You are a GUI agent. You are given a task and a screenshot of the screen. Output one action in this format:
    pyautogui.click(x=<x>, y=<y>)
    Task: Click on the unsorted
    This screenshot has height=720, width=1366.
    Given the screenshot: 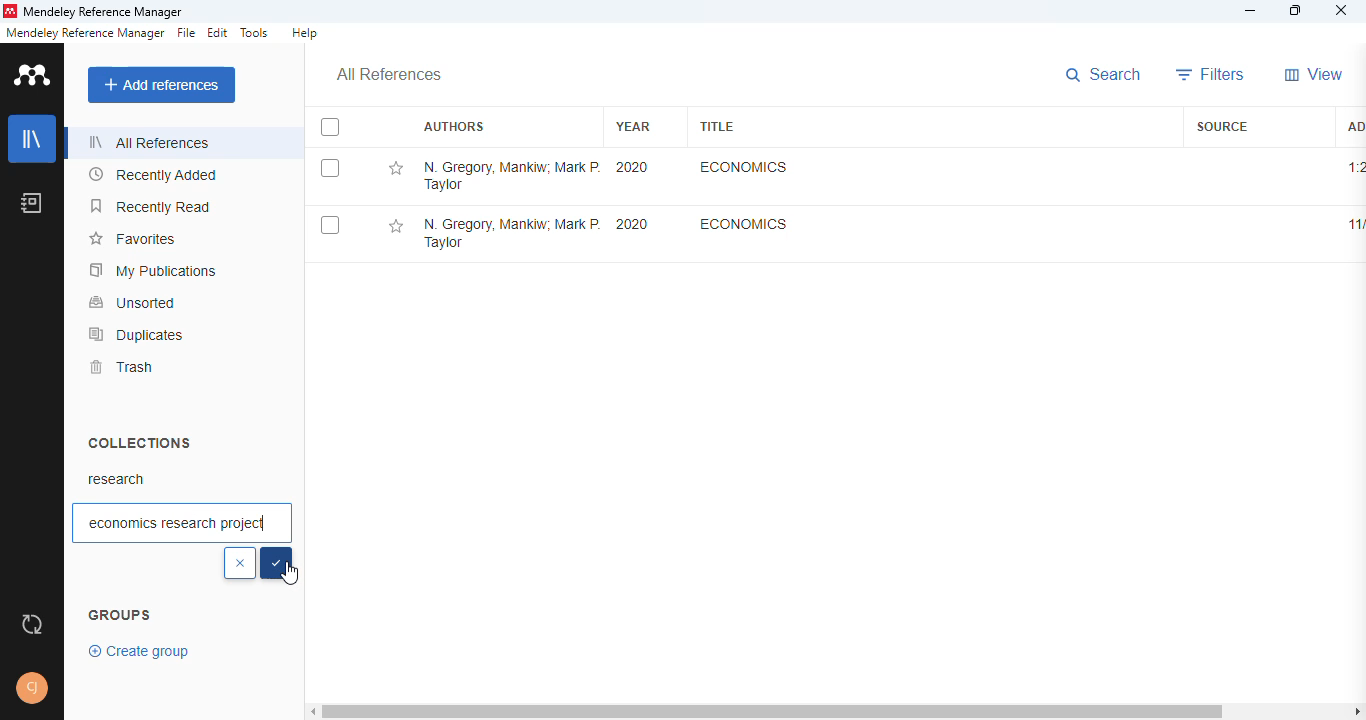 What is the action you would take?
    pyautogui.click(x=133, y=302)
    